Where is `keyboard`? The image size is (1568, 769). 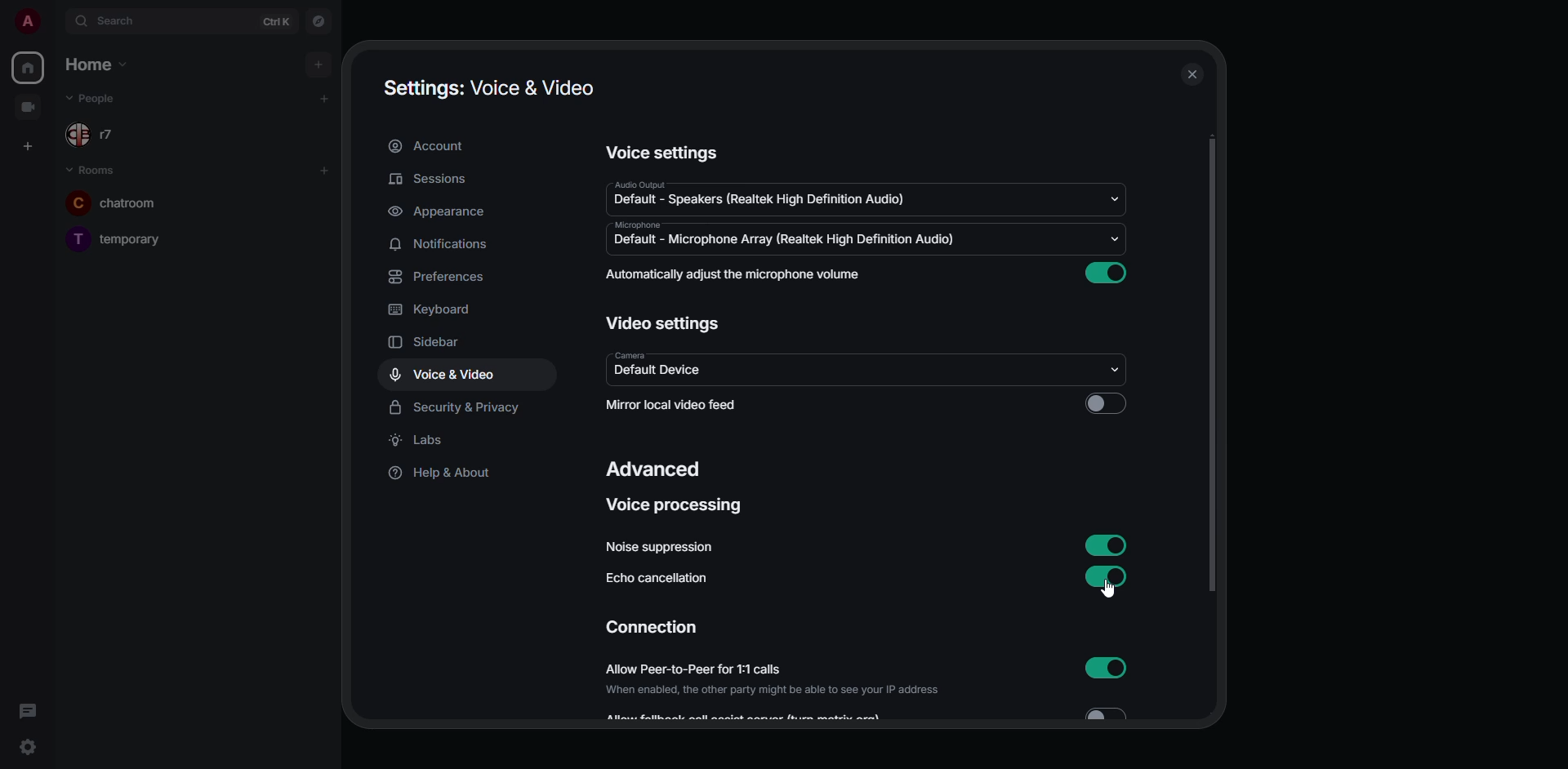 keyboard is located at coordinates (434, 309).